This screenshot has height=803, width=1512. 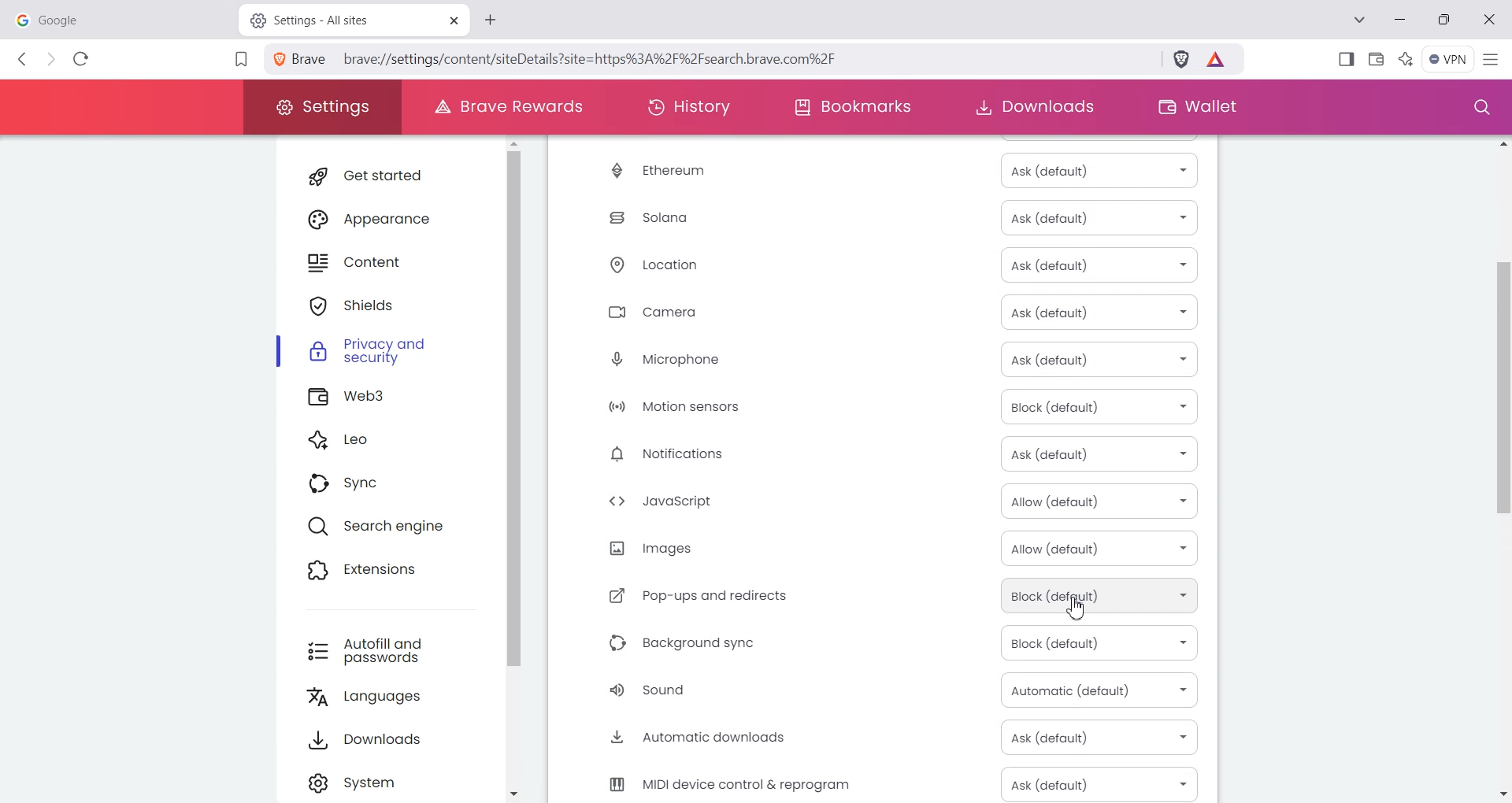 I want to click on Pop-ups and redirects Block (Default), so click(x=885, y=595).